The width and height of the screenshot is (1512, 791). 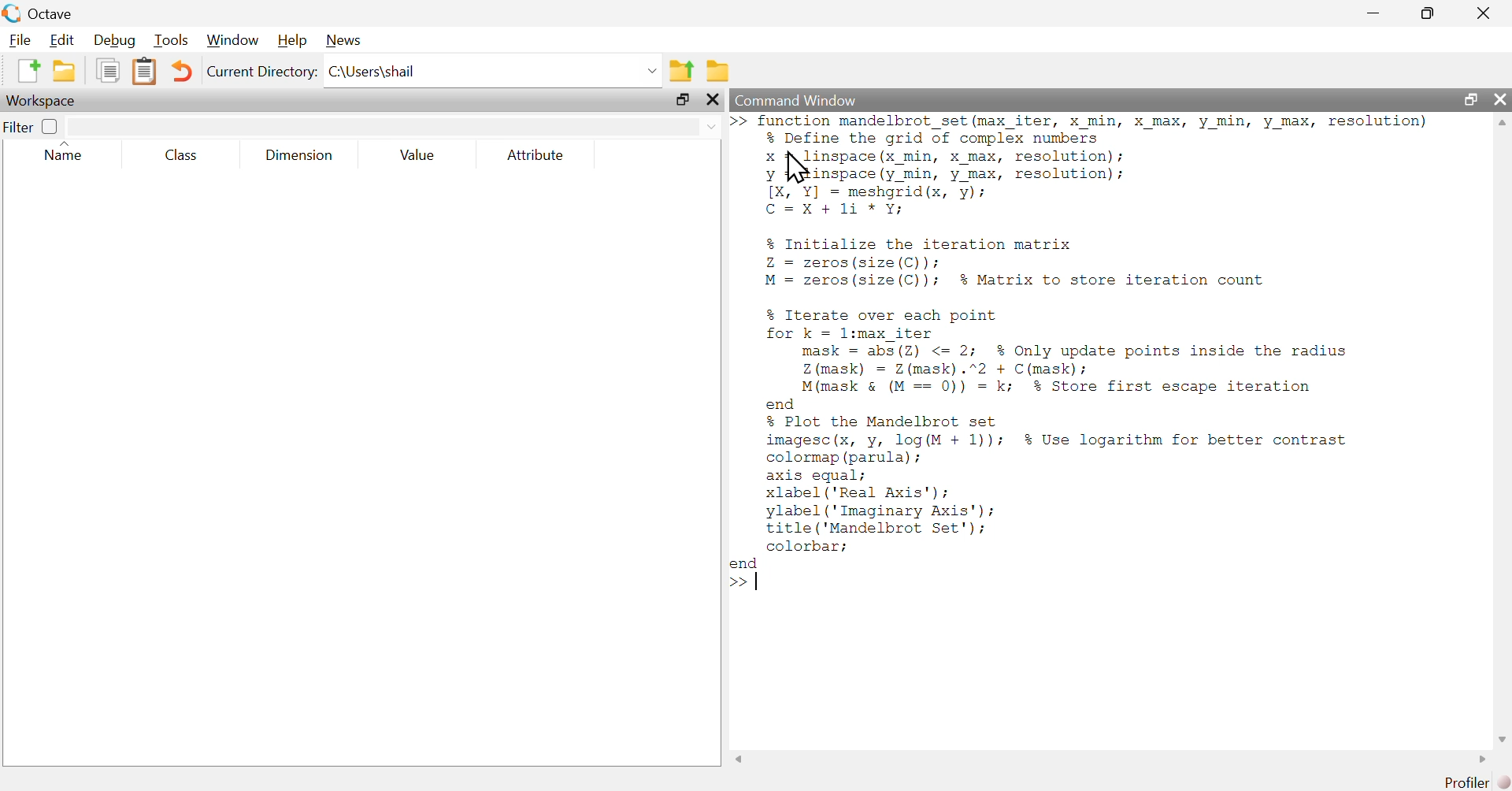 I want to click on Dimension, so click(x=299, y=155).